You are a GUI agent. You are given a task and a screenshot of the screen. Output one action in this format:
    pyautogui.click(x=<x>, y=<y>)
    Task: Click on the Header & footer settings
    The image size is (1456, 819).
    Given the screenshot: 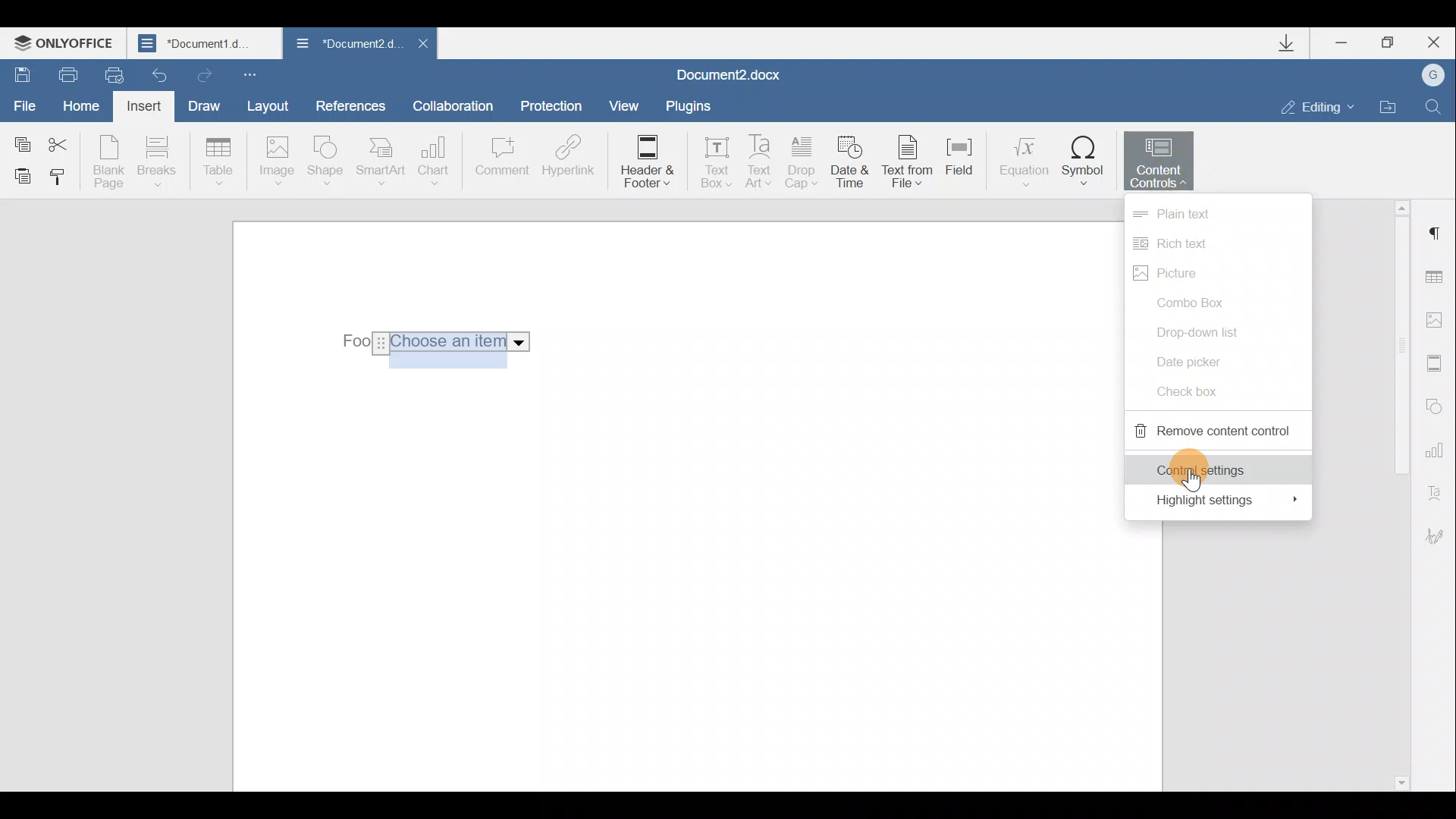 What is the action you would take?
    pyautogui.click(x=1438, y=362)
    